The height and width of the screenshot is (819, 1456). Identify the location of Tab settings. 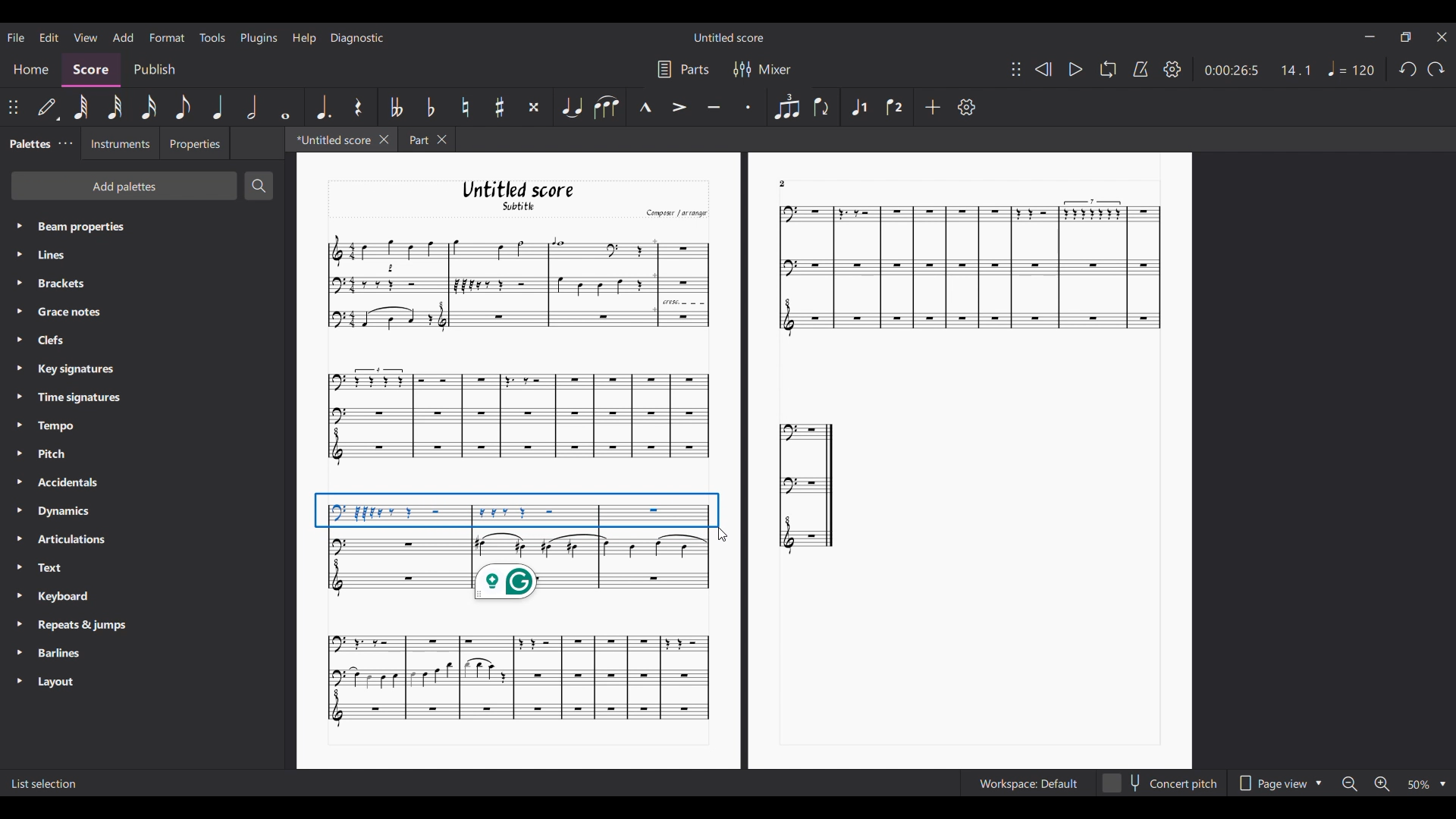
(65, 143).